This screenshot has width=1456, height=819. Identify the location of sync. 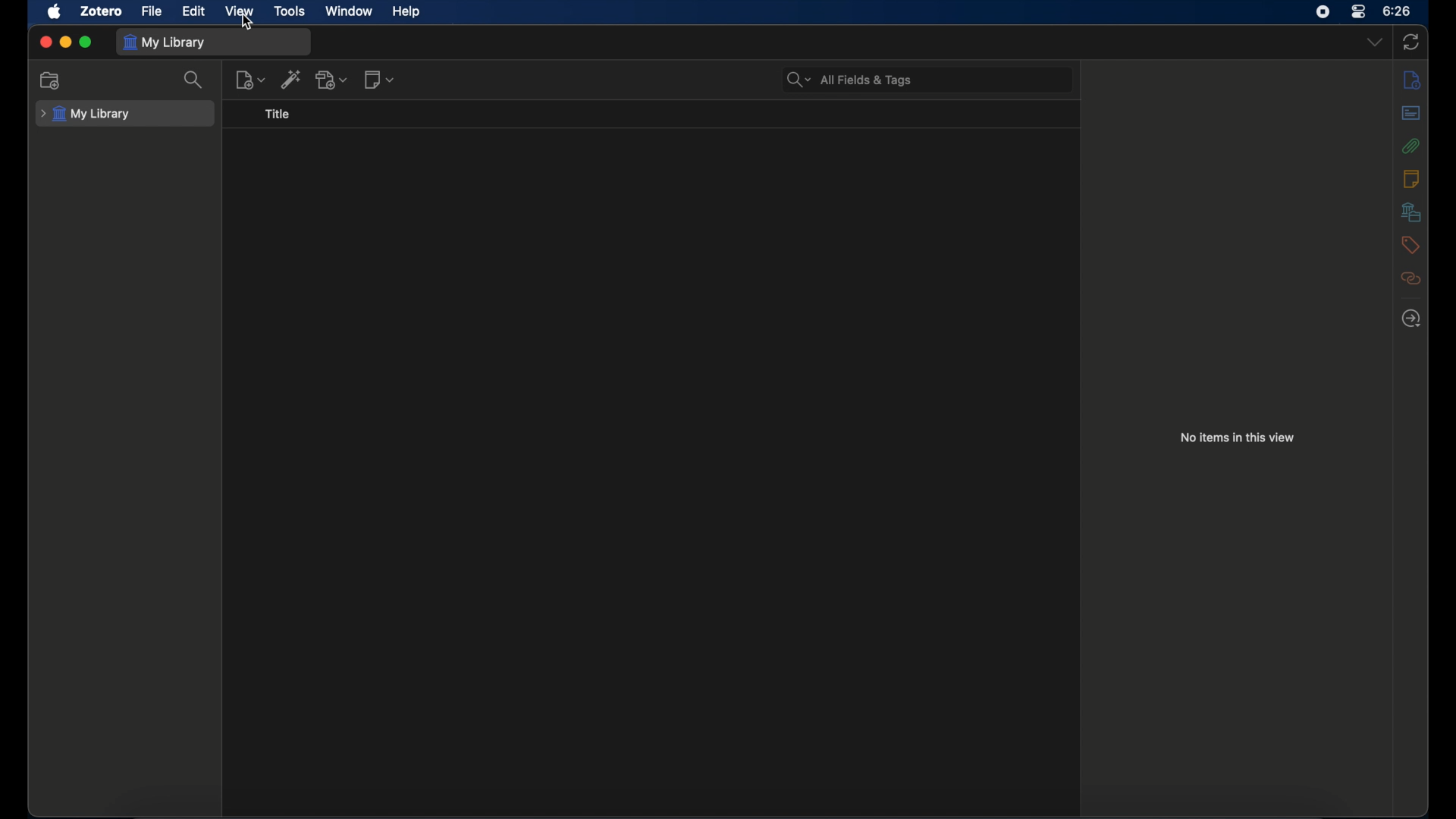
(1414, 42).